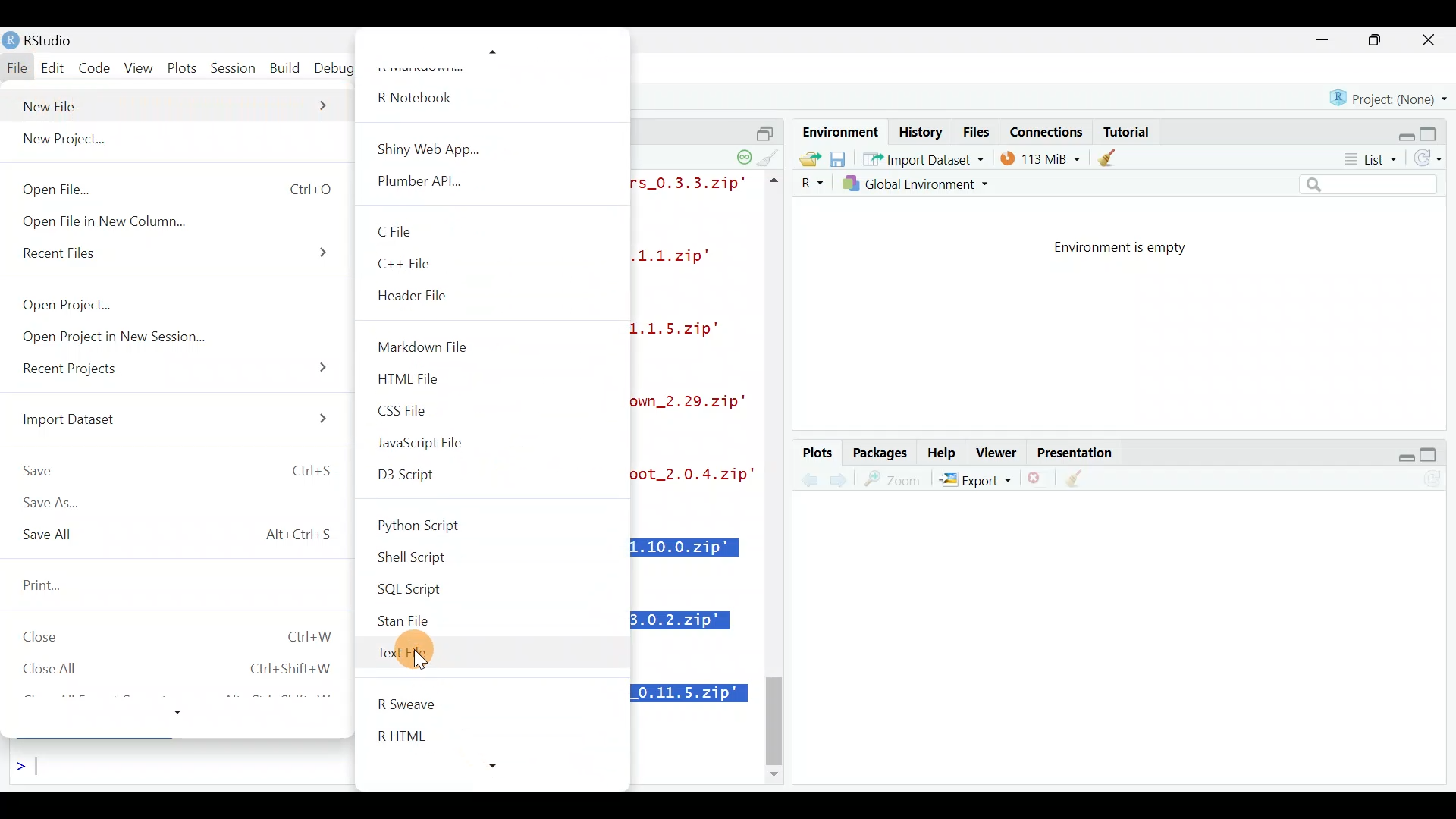 Image resolution: width=1456 pixels, height=819 pixels. Describe the element at coordinates (183, 711) in the screenshot. I see `more` at that location.